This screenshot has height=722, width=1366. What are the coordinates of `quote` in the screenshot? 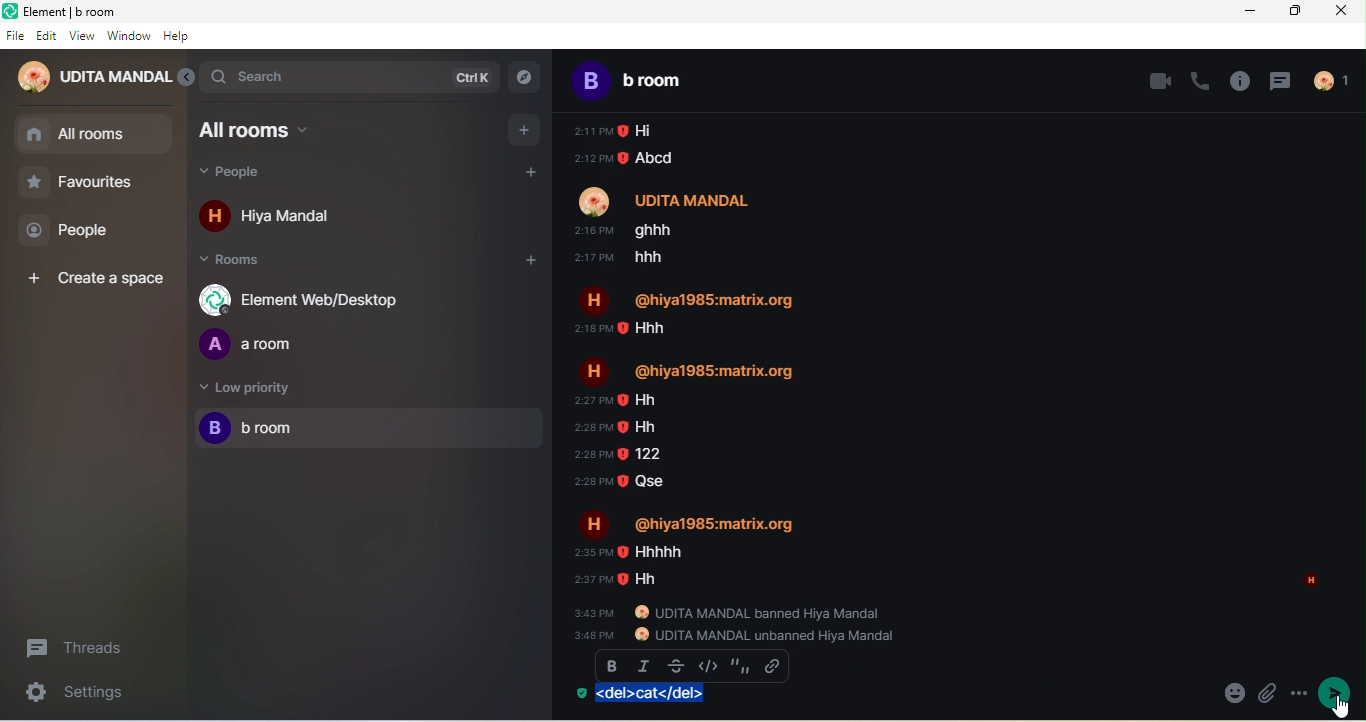 It's located at (742, 666).